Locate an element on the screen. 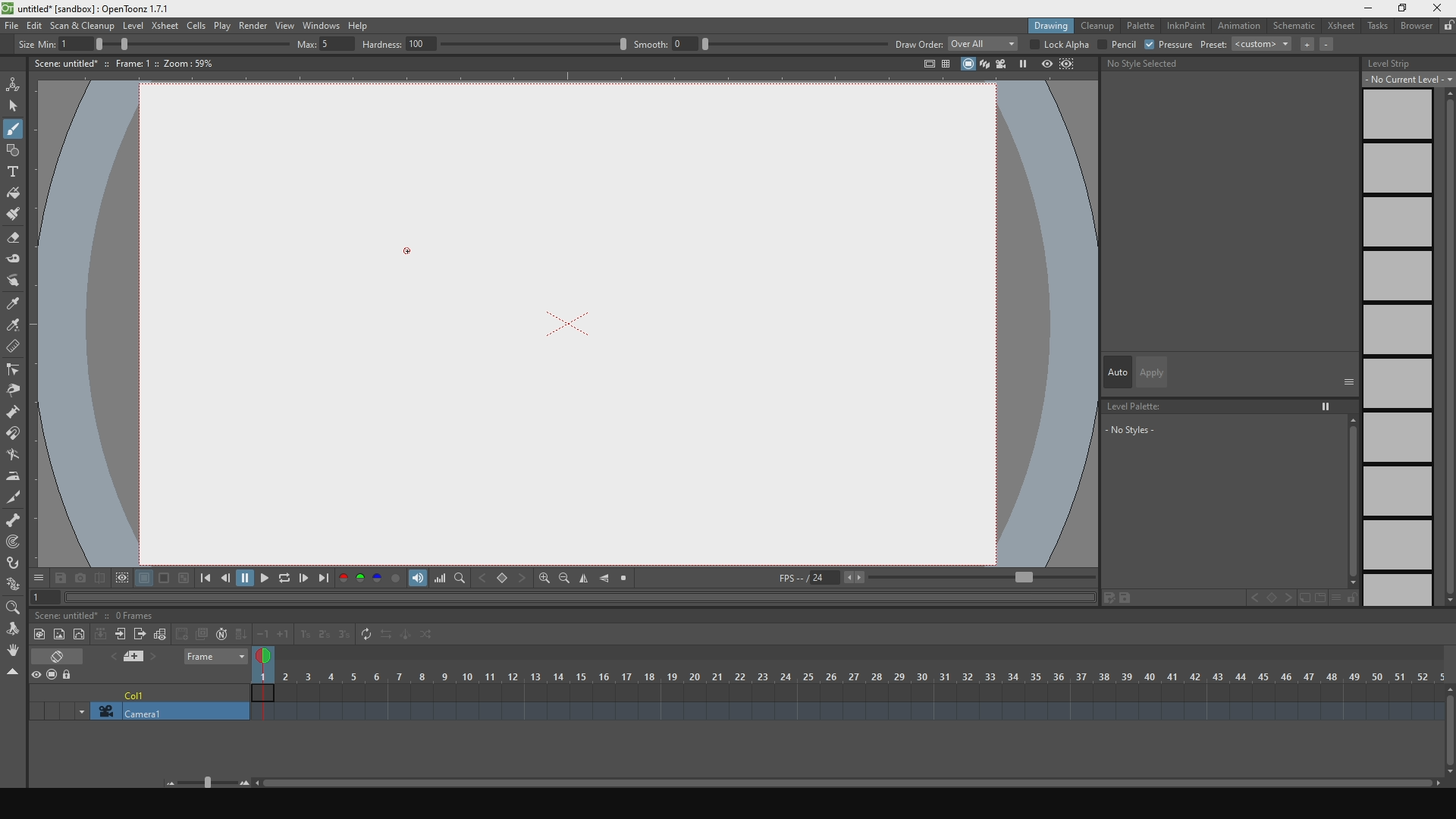 The image size is (1456, 819). delete is located at coordinates (15, 348).